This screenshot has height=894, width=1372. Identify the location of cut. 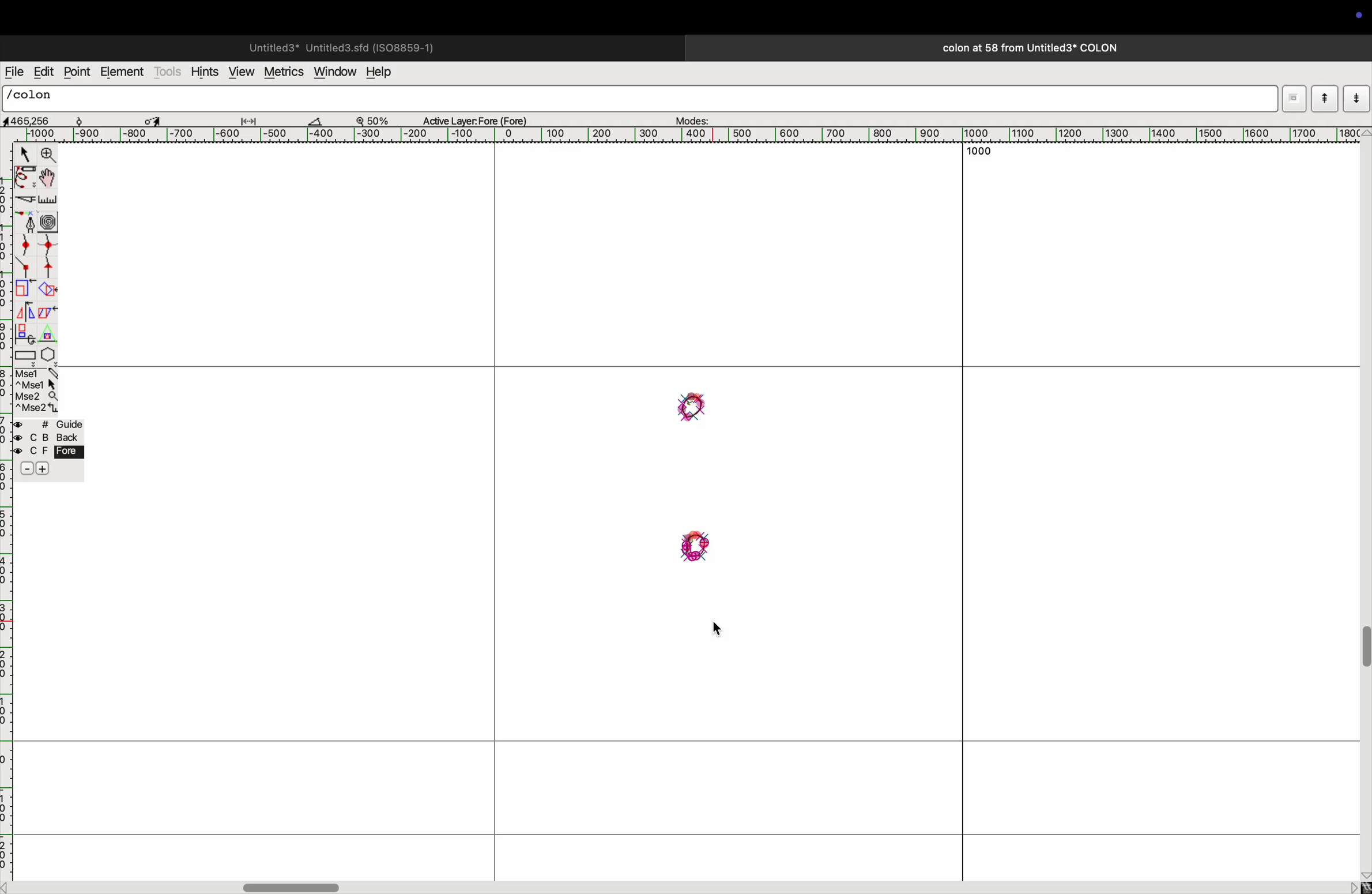
(322, 121).